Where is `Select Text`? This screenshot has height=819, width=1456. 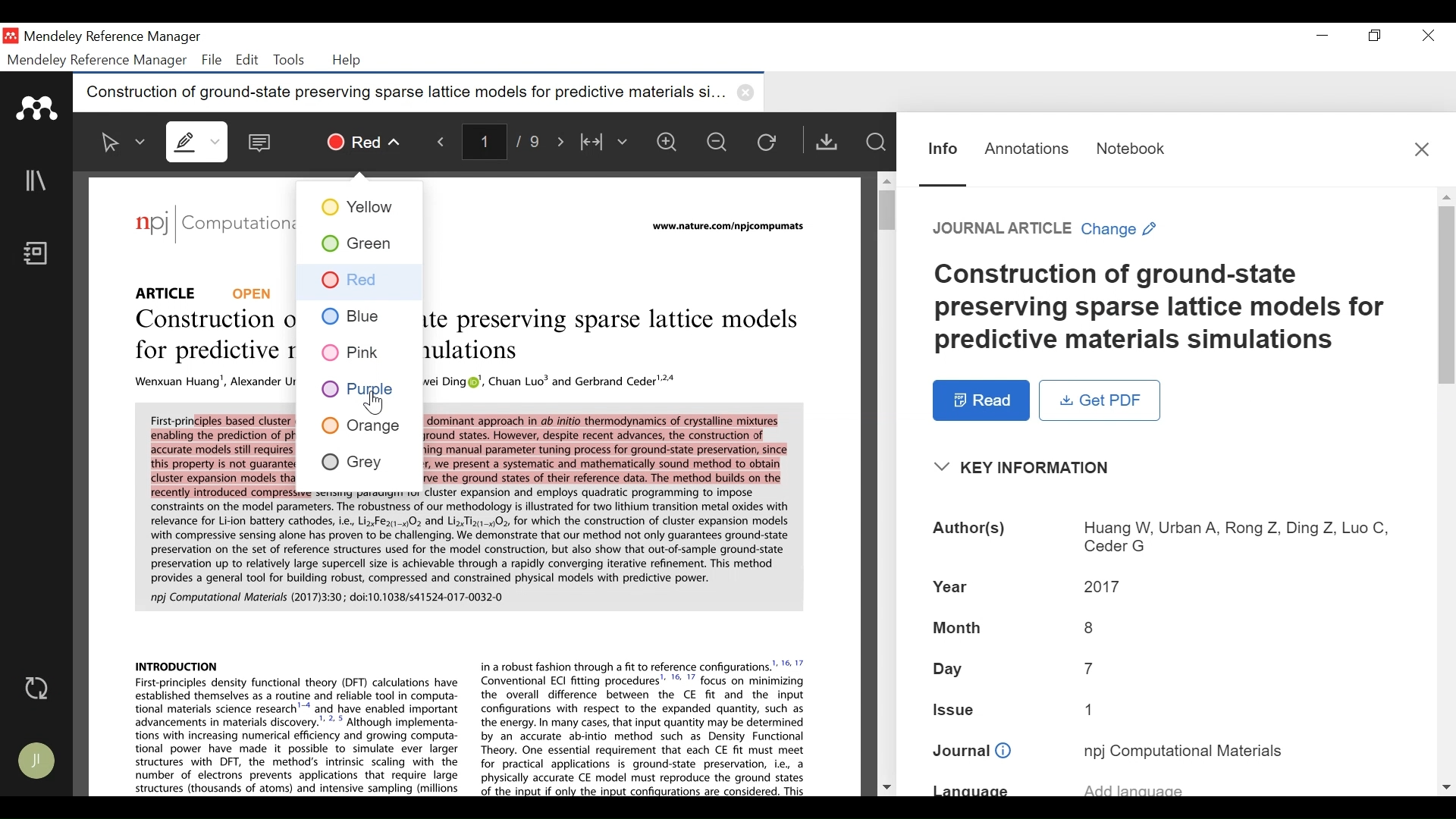
Select Text is located at coordinates (120, 141).